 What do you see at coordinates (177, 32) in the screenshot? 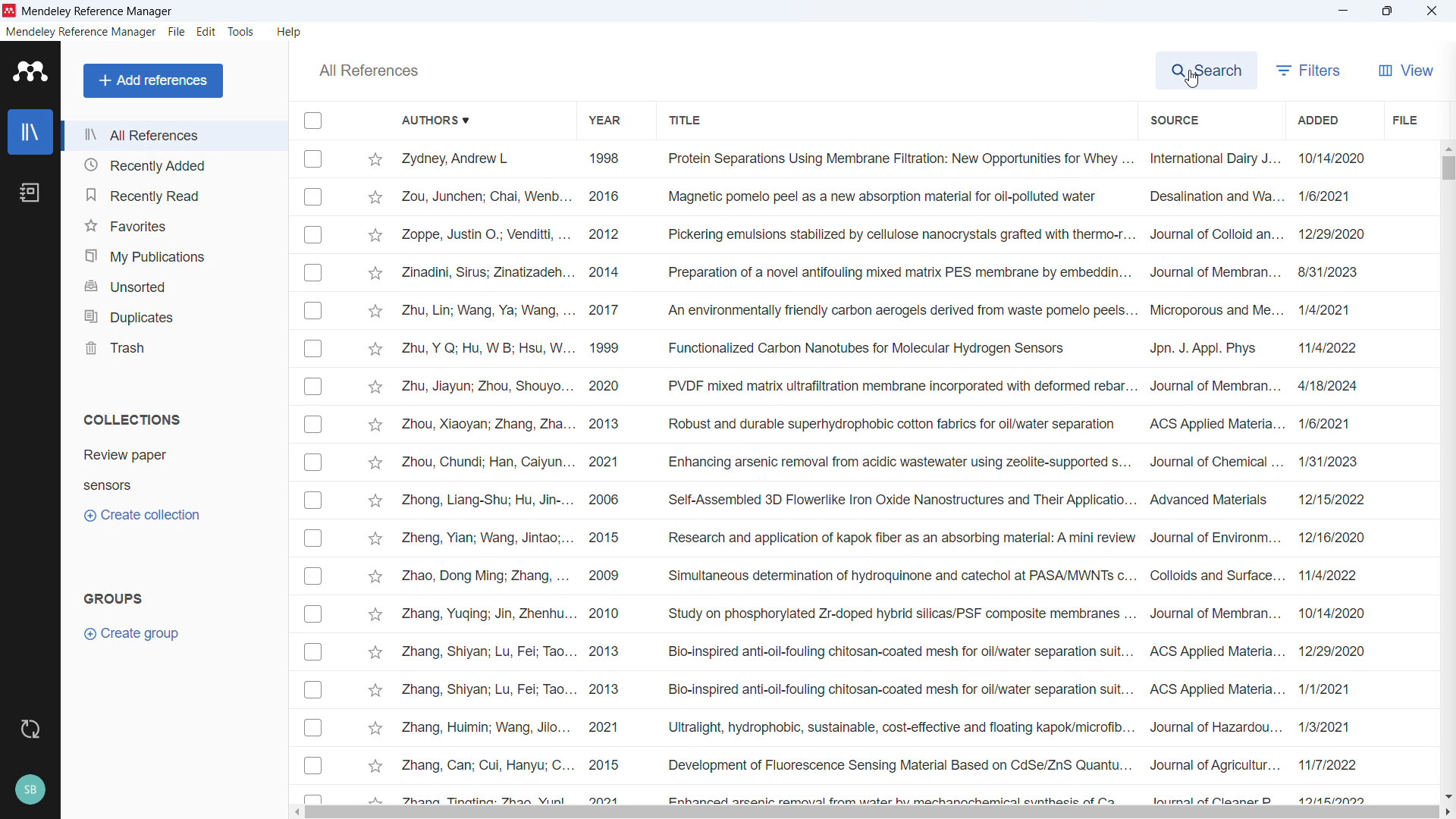
I see `file` at bounding box center [177, 32].